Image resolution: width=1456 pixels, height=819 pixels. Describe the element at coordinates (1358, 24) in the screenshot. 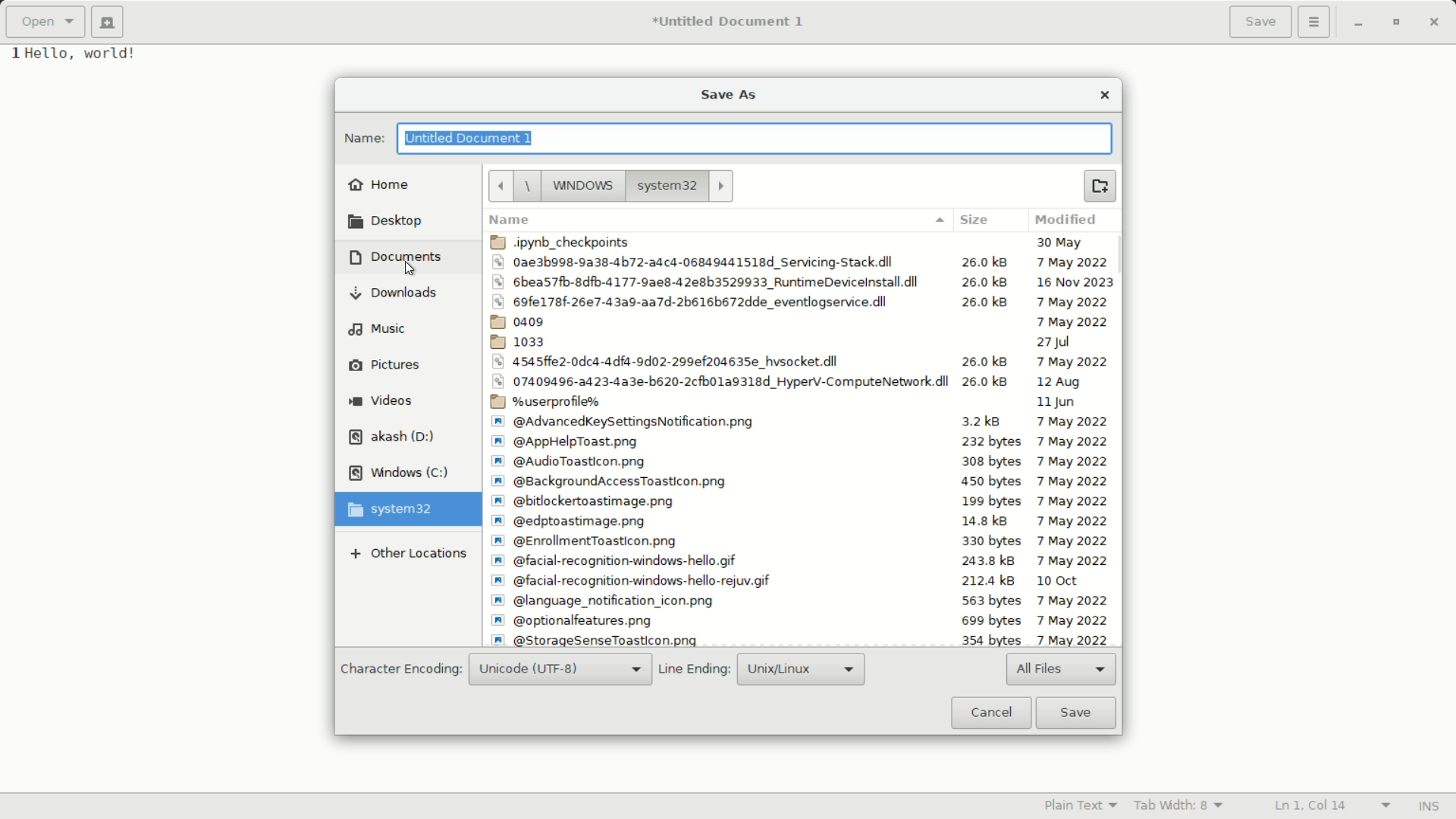

I see `minimize` at that location.